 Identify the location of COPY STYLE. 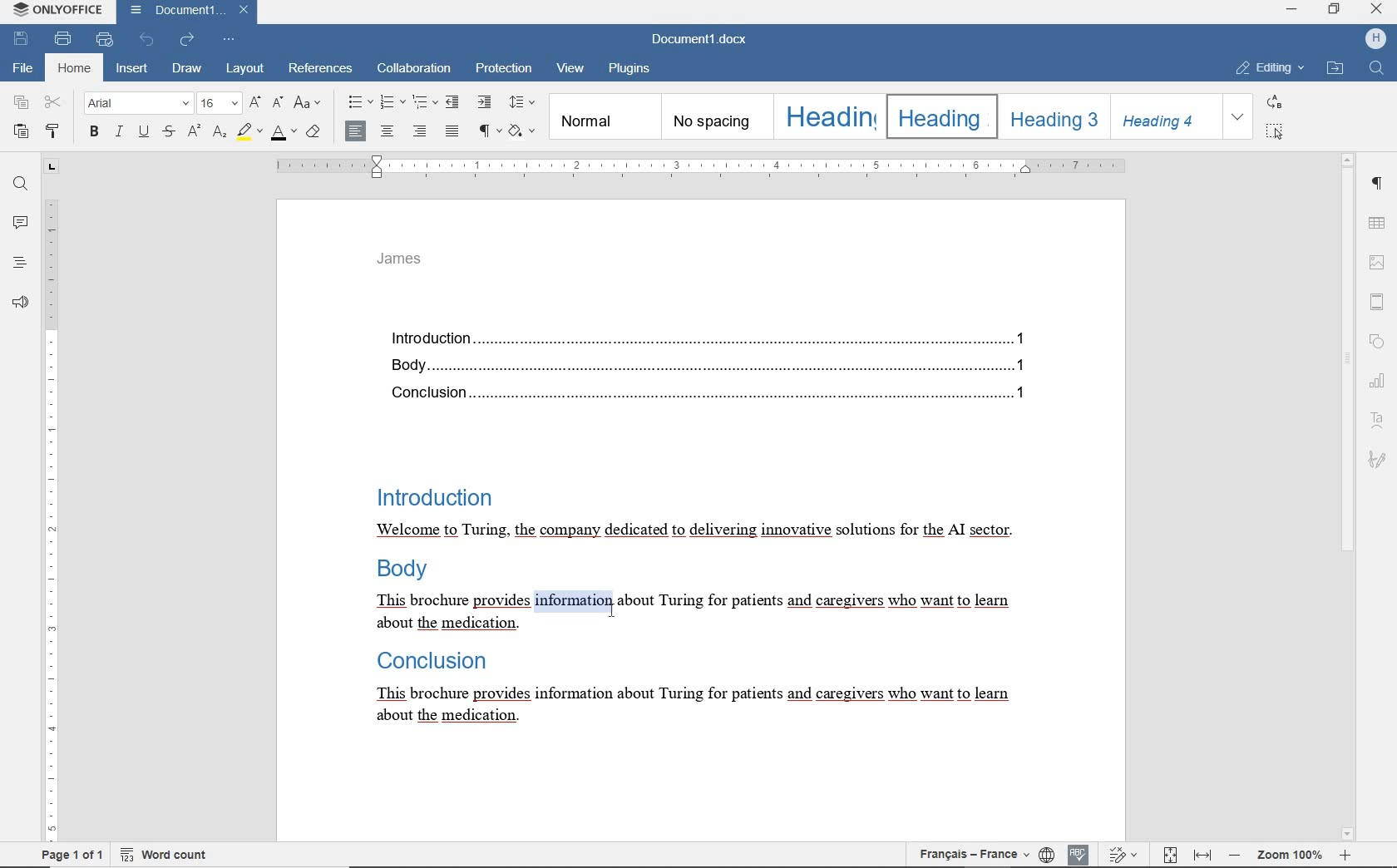
(54, 131).